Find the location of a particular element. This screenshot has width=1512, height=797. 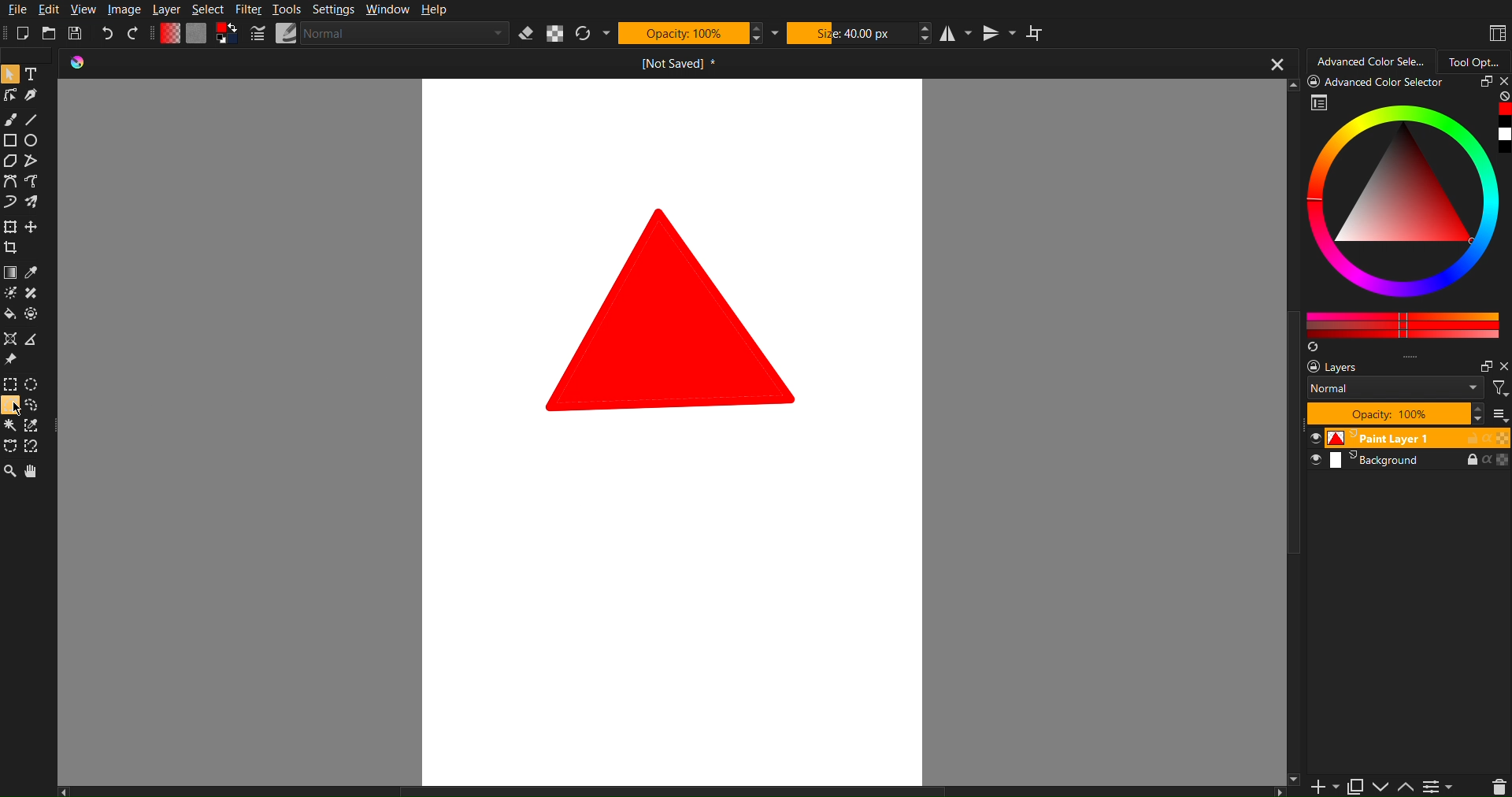

Free shape is located at coordinates (34, 183).